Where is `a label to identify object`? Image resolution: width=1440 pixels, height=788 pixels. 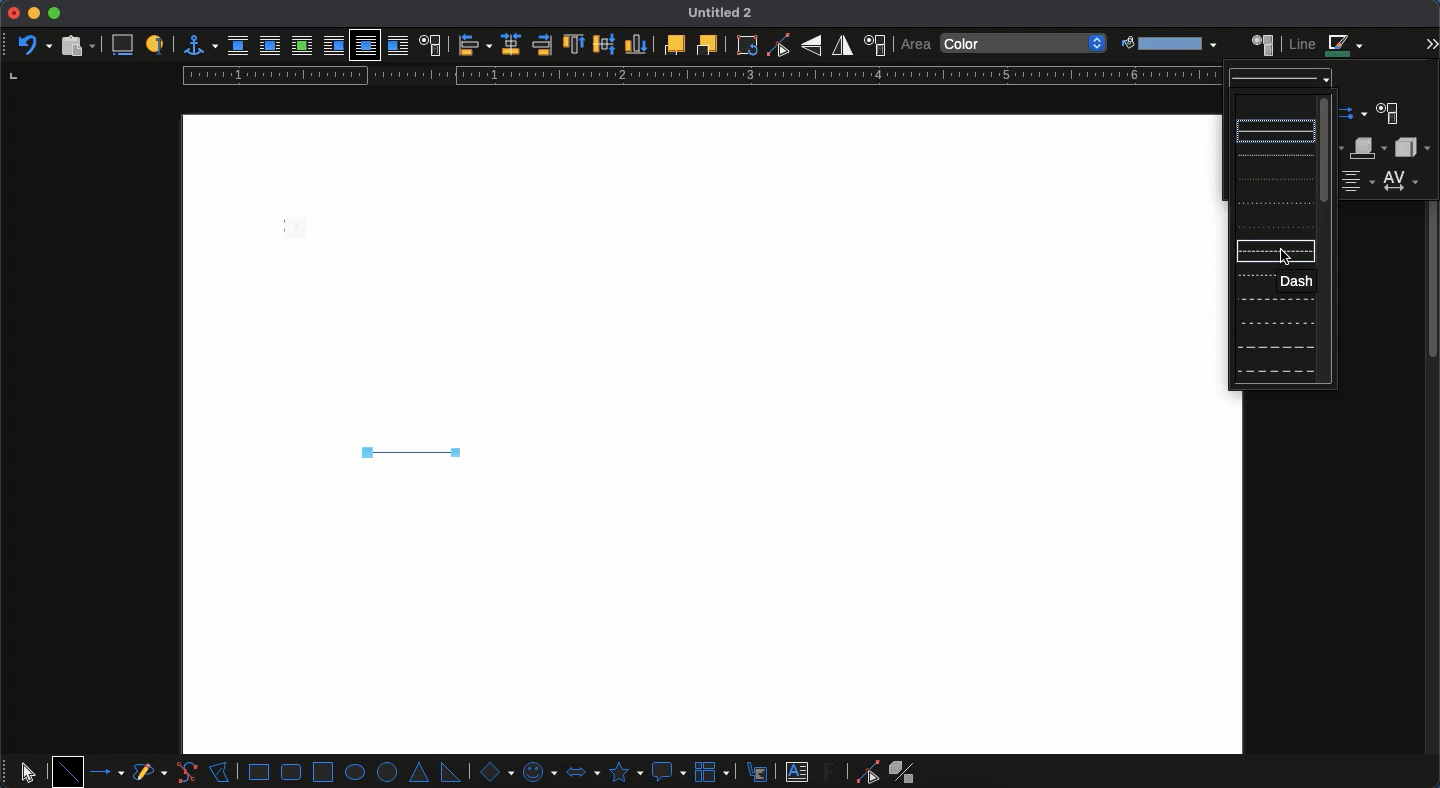
a label to identify object is located at coordinates (155, 46).